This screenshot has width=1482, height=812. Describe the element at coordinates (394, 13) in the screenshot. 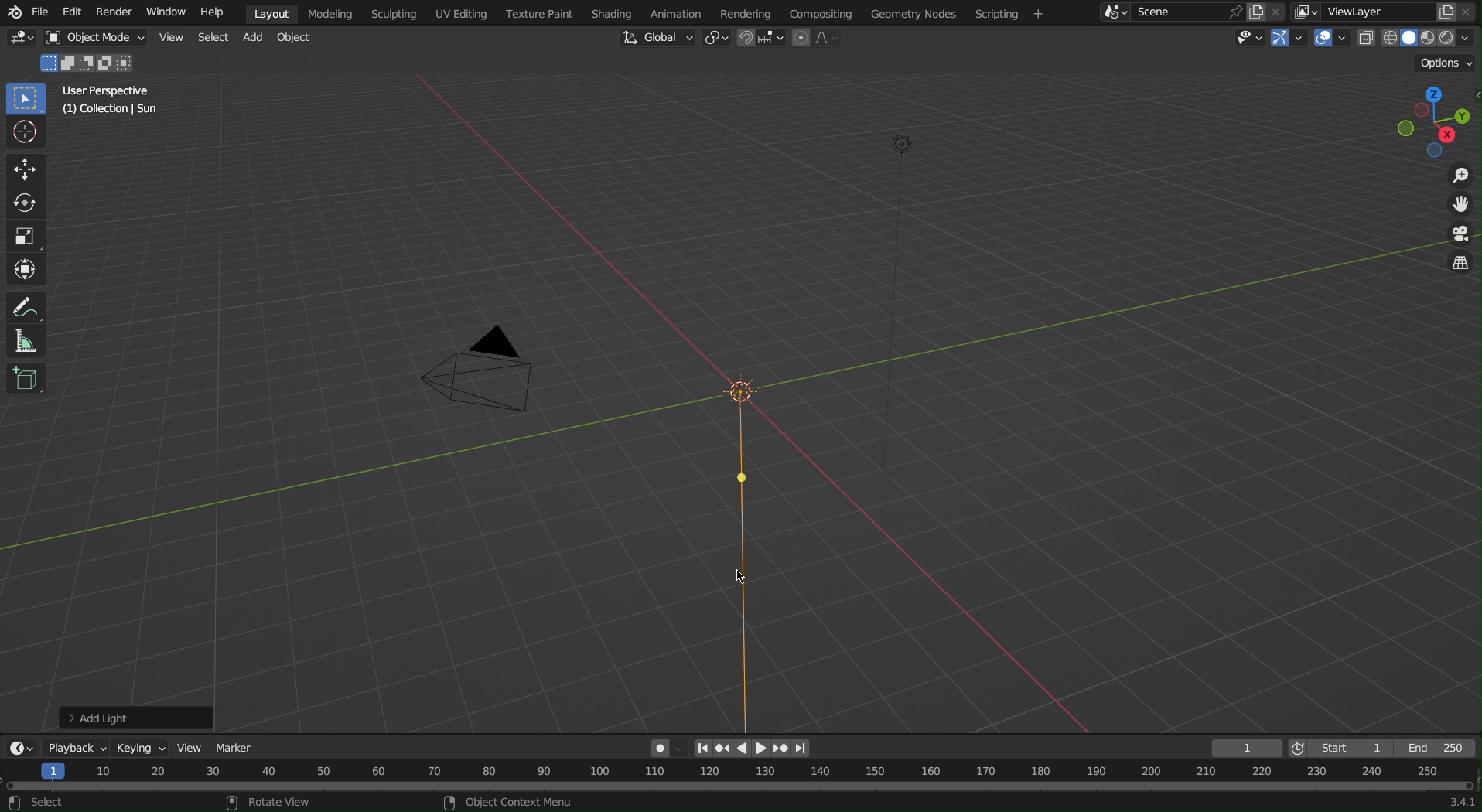

I see `Sculpting` at that location.